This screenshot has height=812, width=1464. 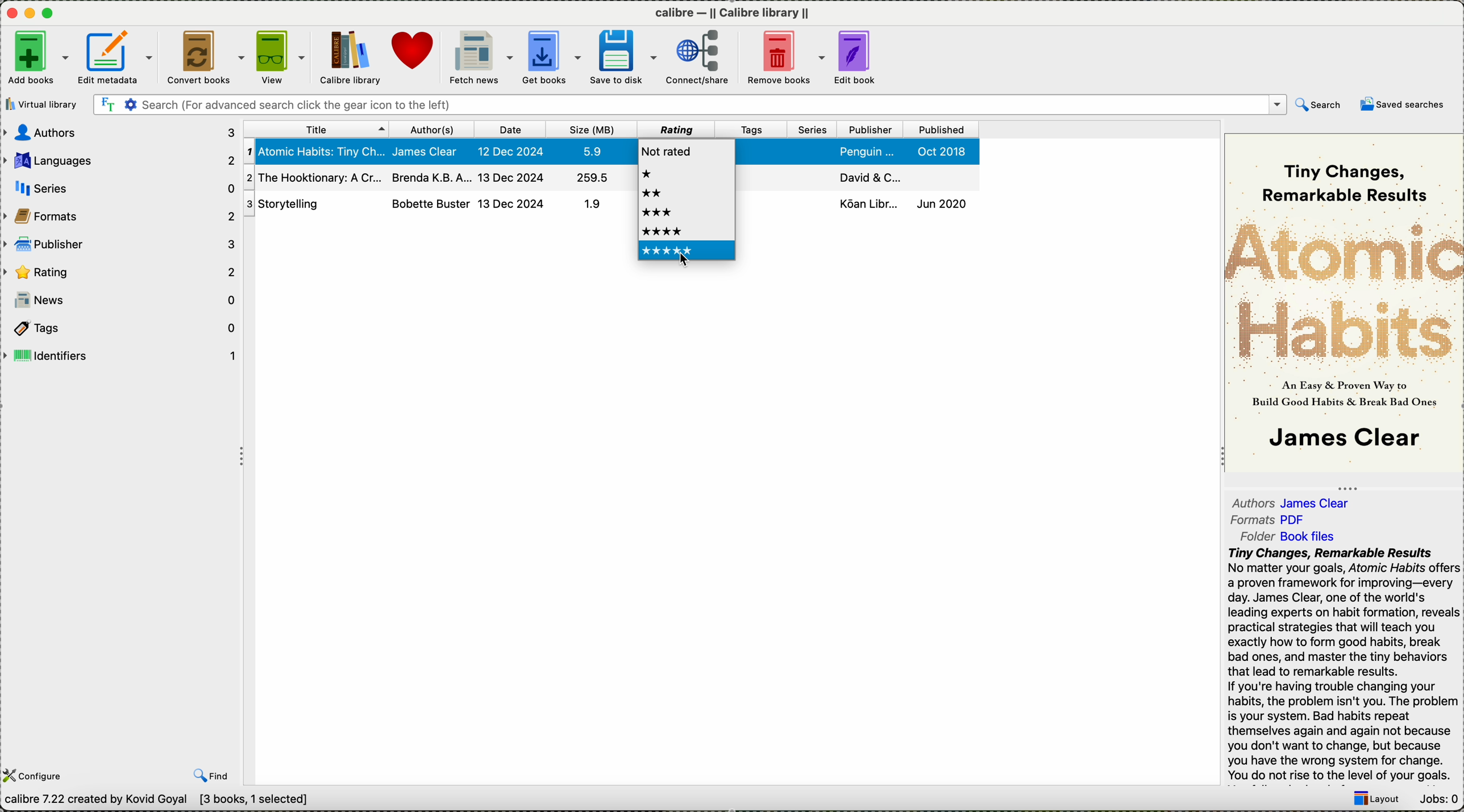 I want to click on two stars, so click(x=653, y=193).